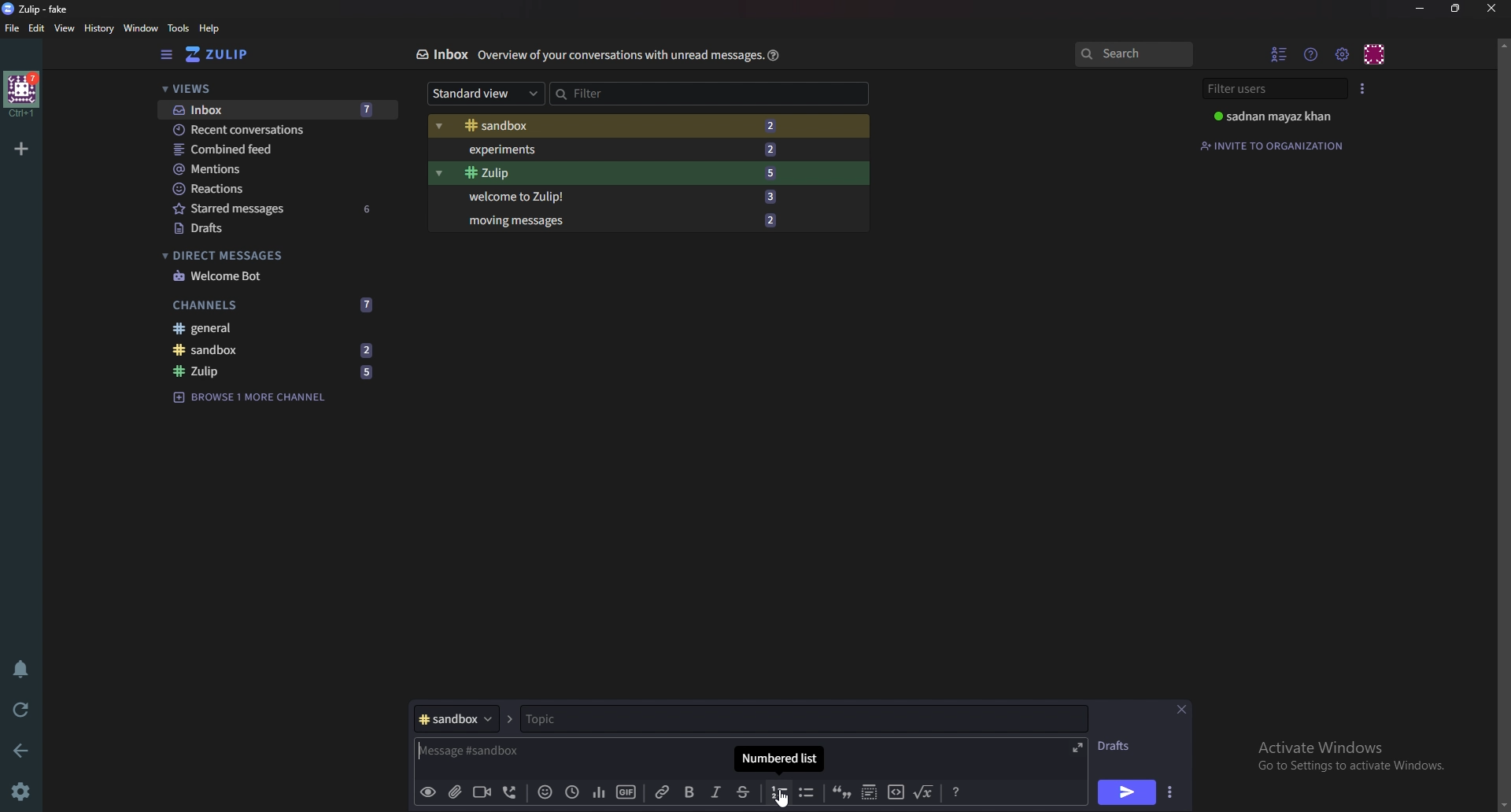 The image size is (1511, 812). I want to click on Expand, so click(1076, 746).